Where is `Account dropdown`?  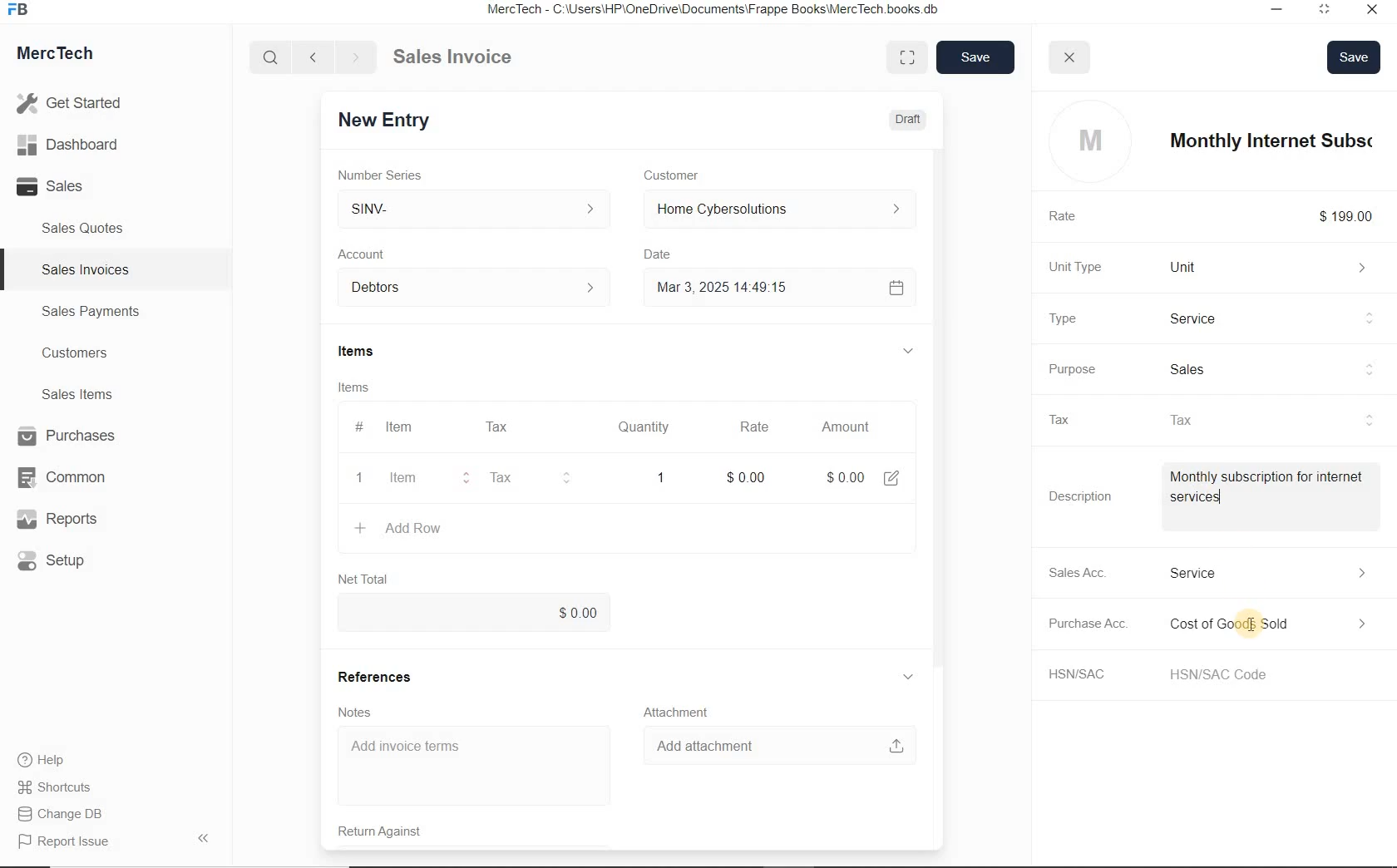
Account dropdown is located at coordinates (474, 289).